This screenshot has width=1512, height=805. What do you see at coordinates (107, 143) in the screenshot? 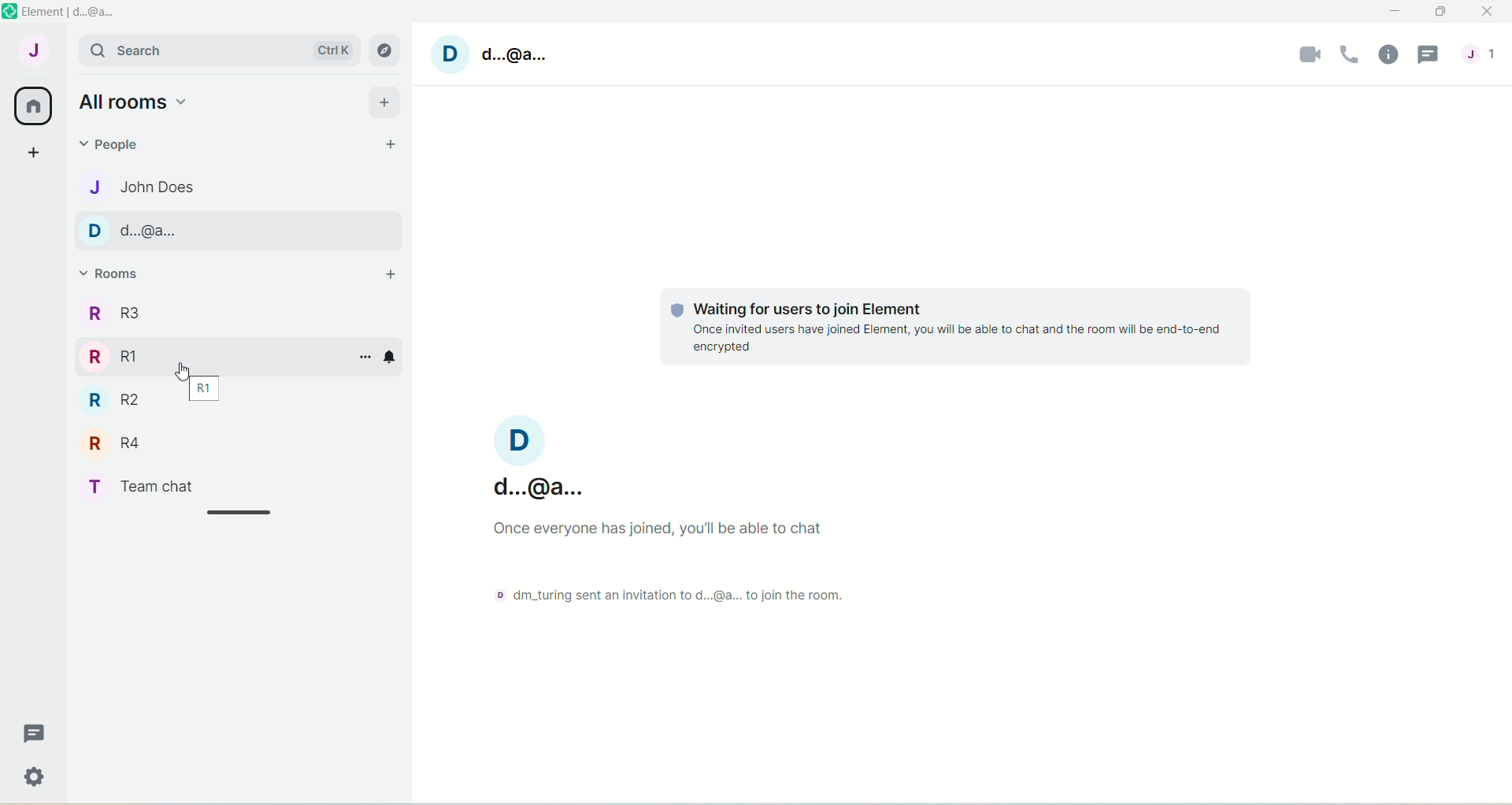
I see `people` at bounding box center [107, 143].